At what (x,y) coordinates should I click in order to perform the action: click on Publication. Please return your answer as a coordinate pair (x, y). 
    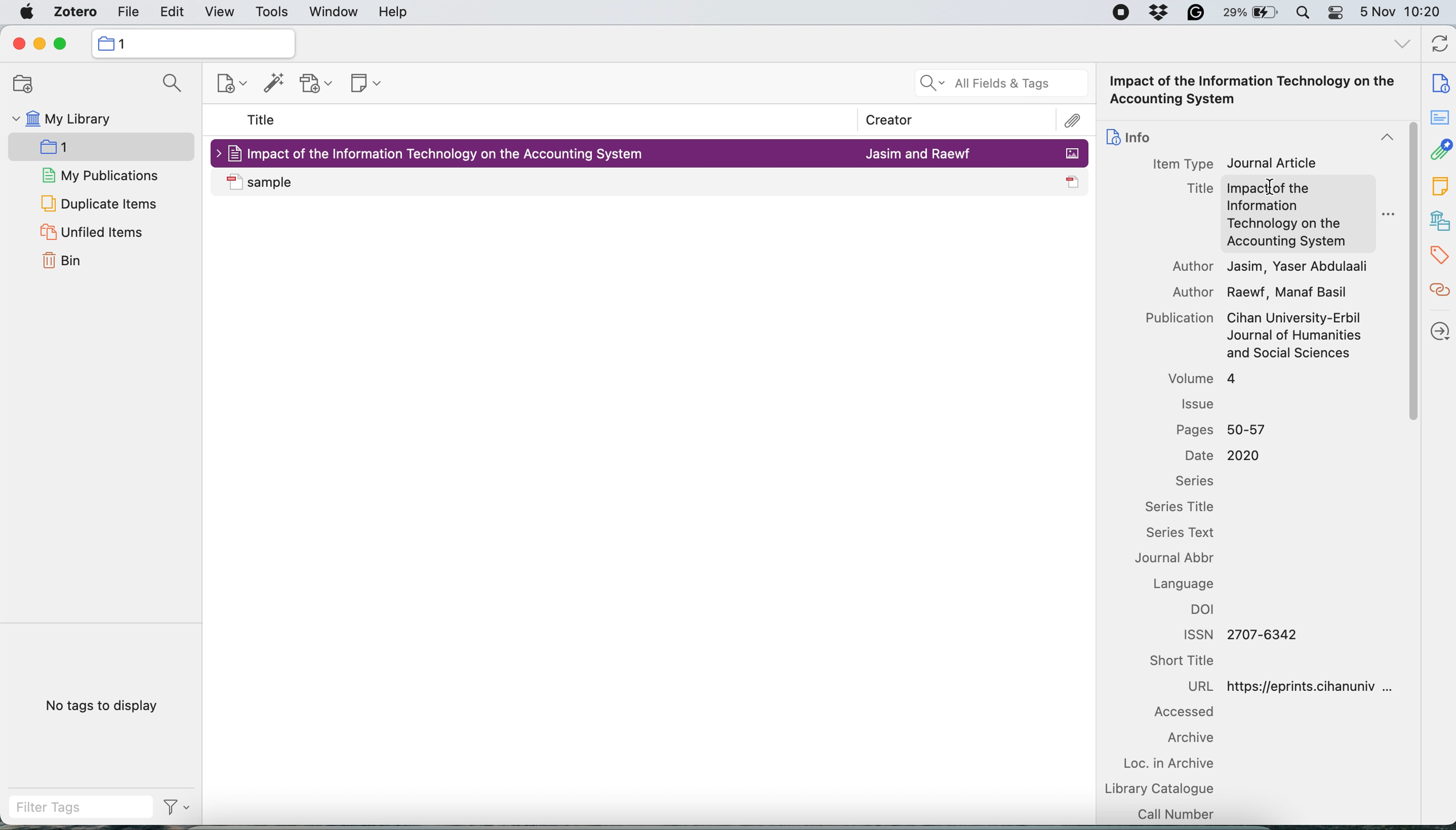
    Looking at the image, I should click on (1181, 318).